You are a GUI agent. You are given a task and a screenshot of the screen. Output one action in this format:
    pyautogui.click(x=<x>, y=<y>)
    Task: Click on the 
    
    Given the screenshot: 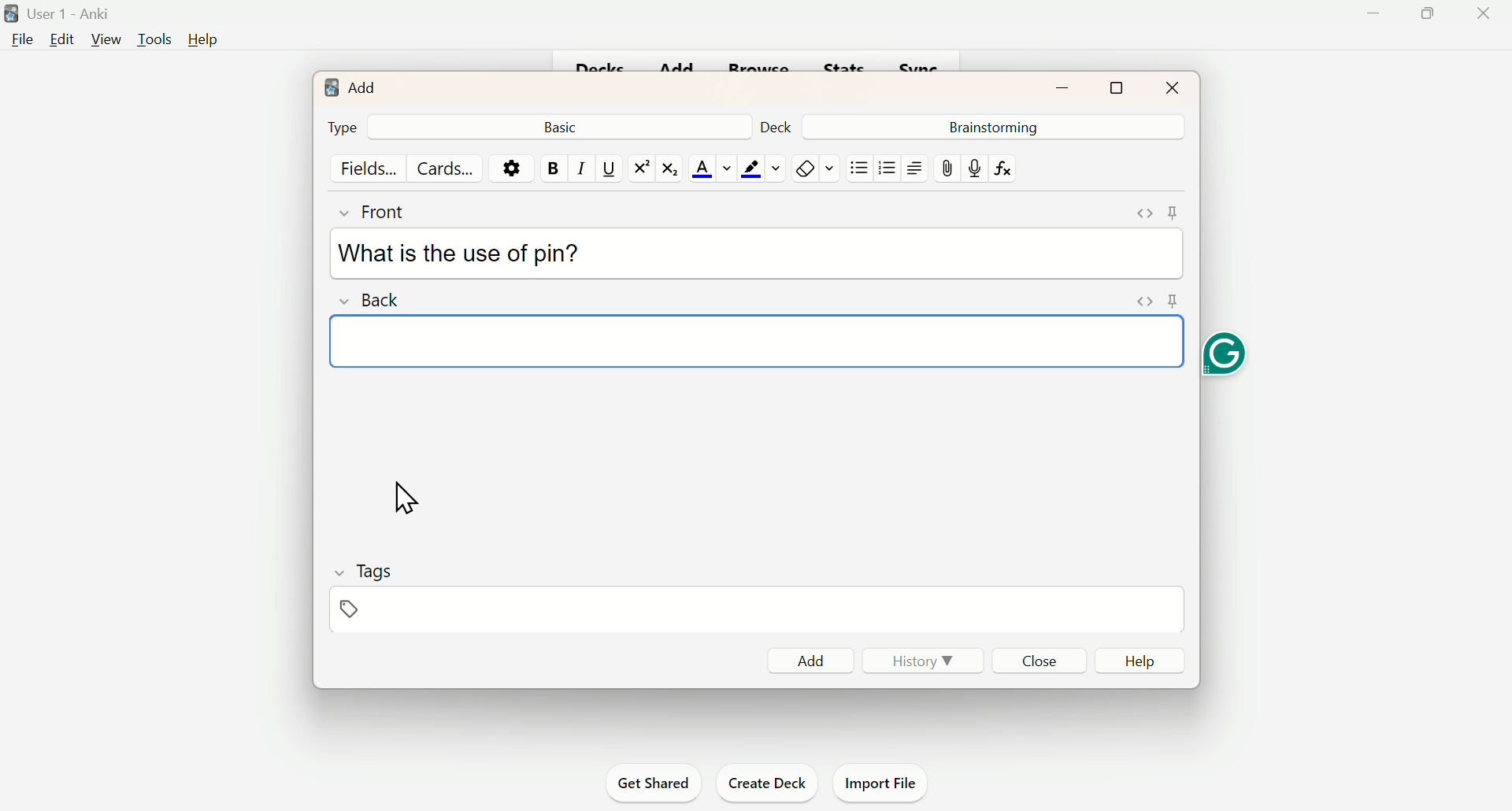 What is the action you would take?
    pyautogui.click(x=563, y=126)
    